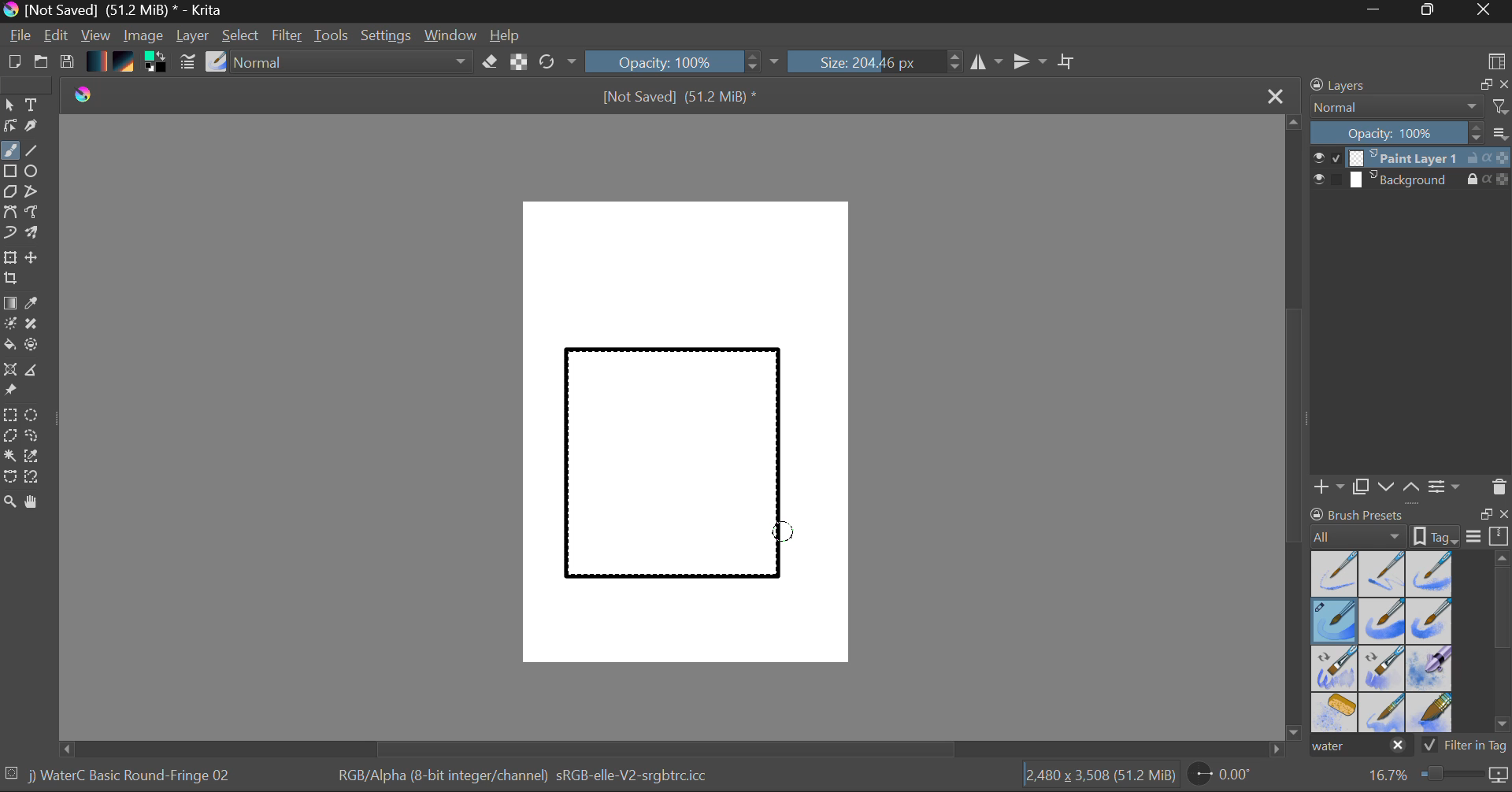 The image size is (1512, 792). Describe the element at coordinates (11, 172) in the screenshot. I see `Rectangle` at that location.